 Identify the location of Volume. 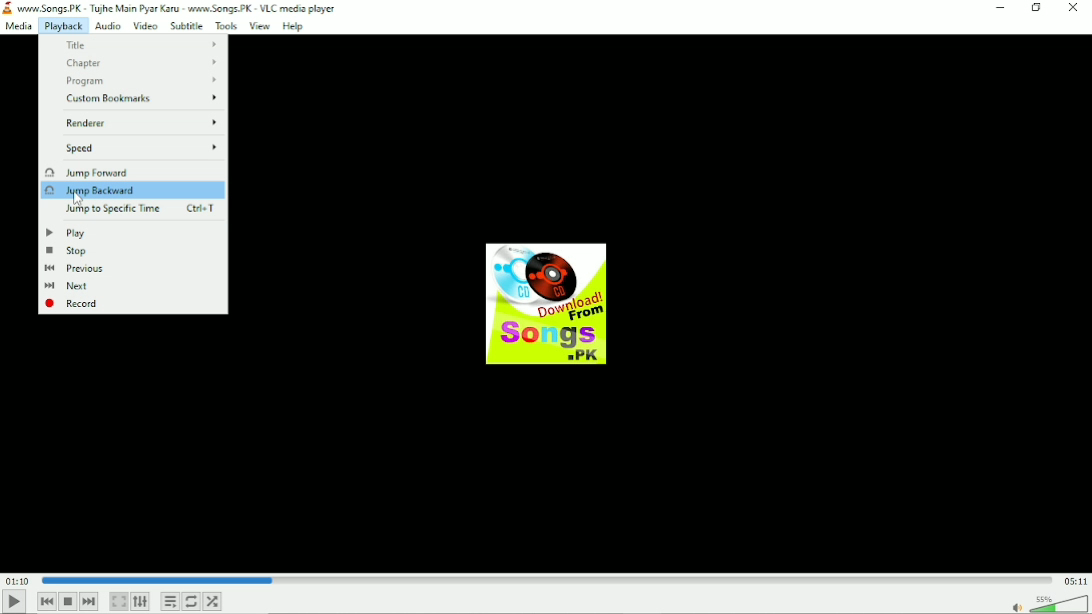
(1046, 603).